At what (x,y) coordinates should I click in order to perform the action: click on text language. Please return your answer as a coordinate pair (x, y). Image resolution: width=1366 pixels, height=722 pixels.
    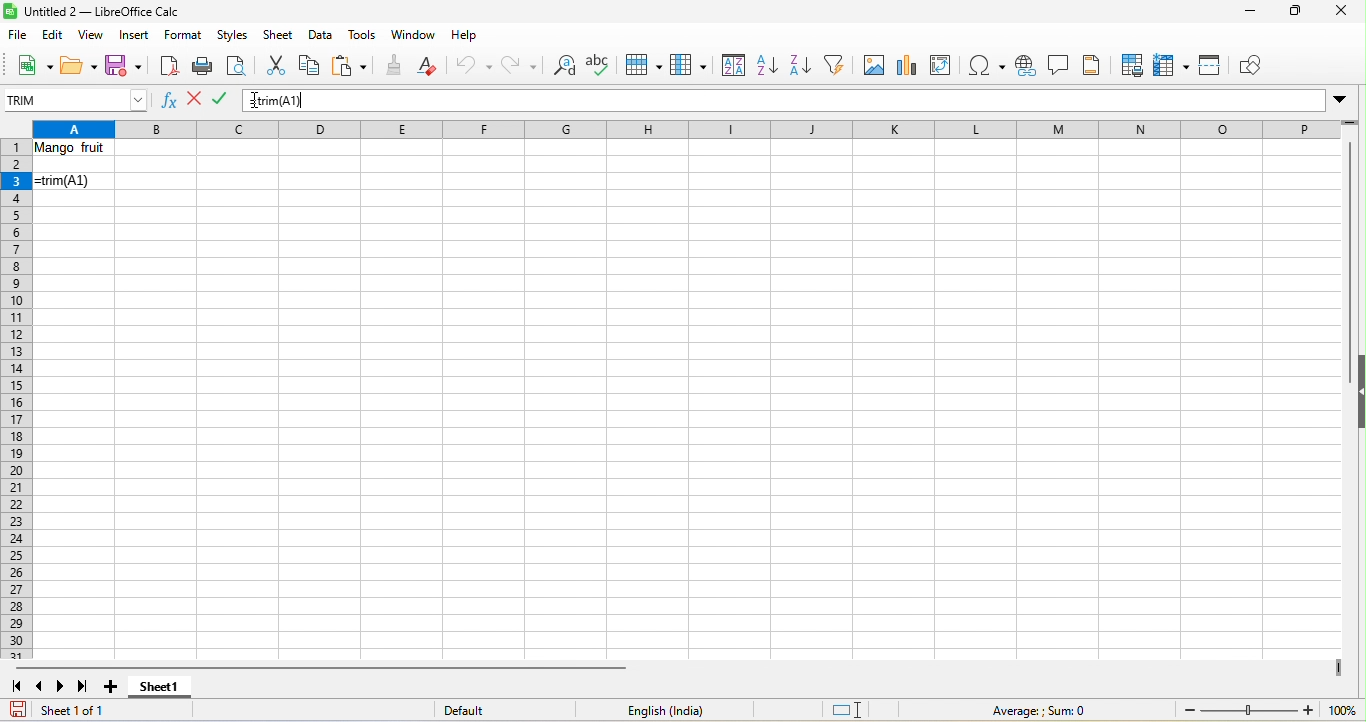
    Looking at the image, I should click on (666, 709).